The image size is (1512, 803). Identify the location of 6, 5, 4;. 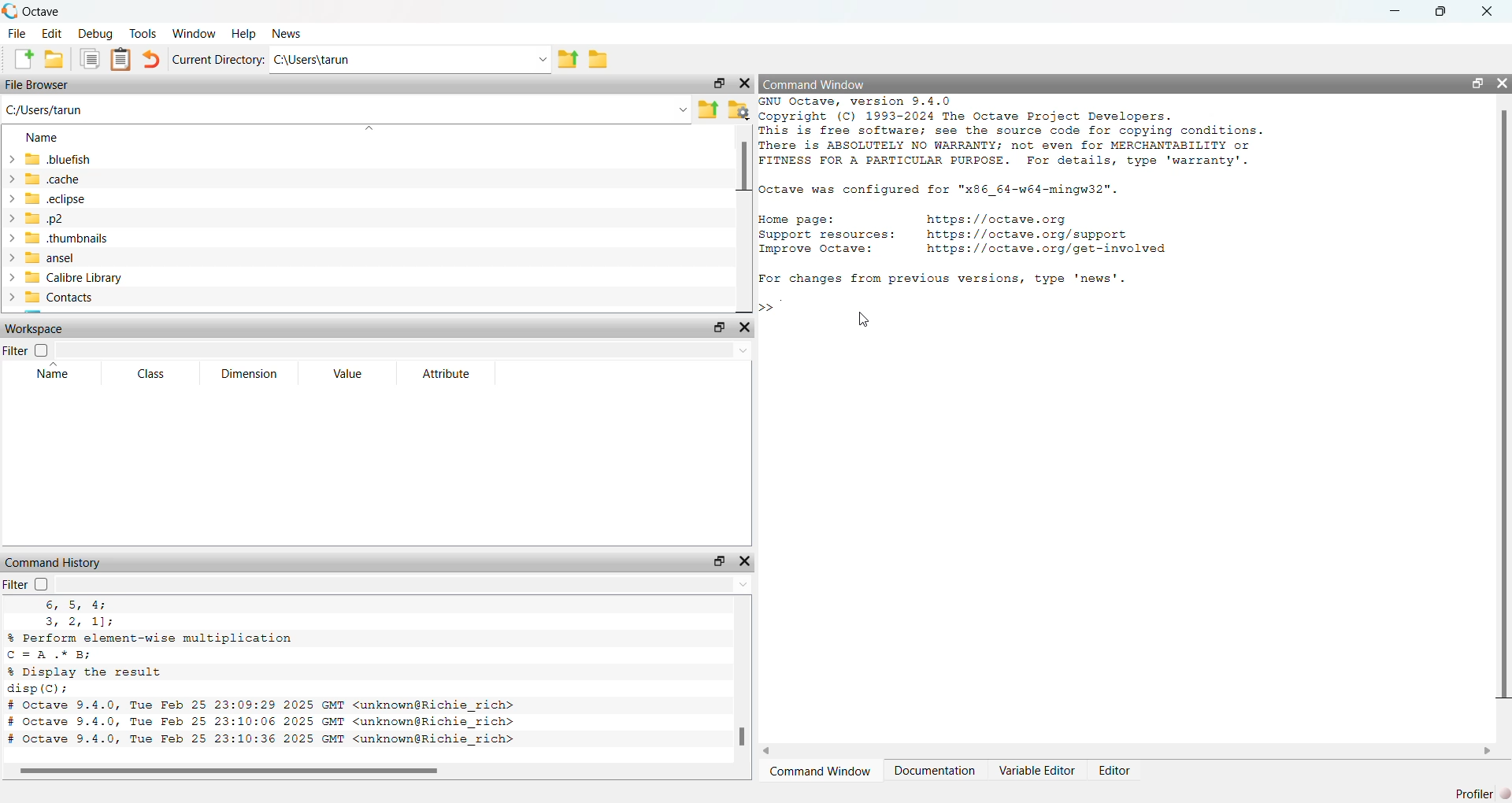
(79, 605).